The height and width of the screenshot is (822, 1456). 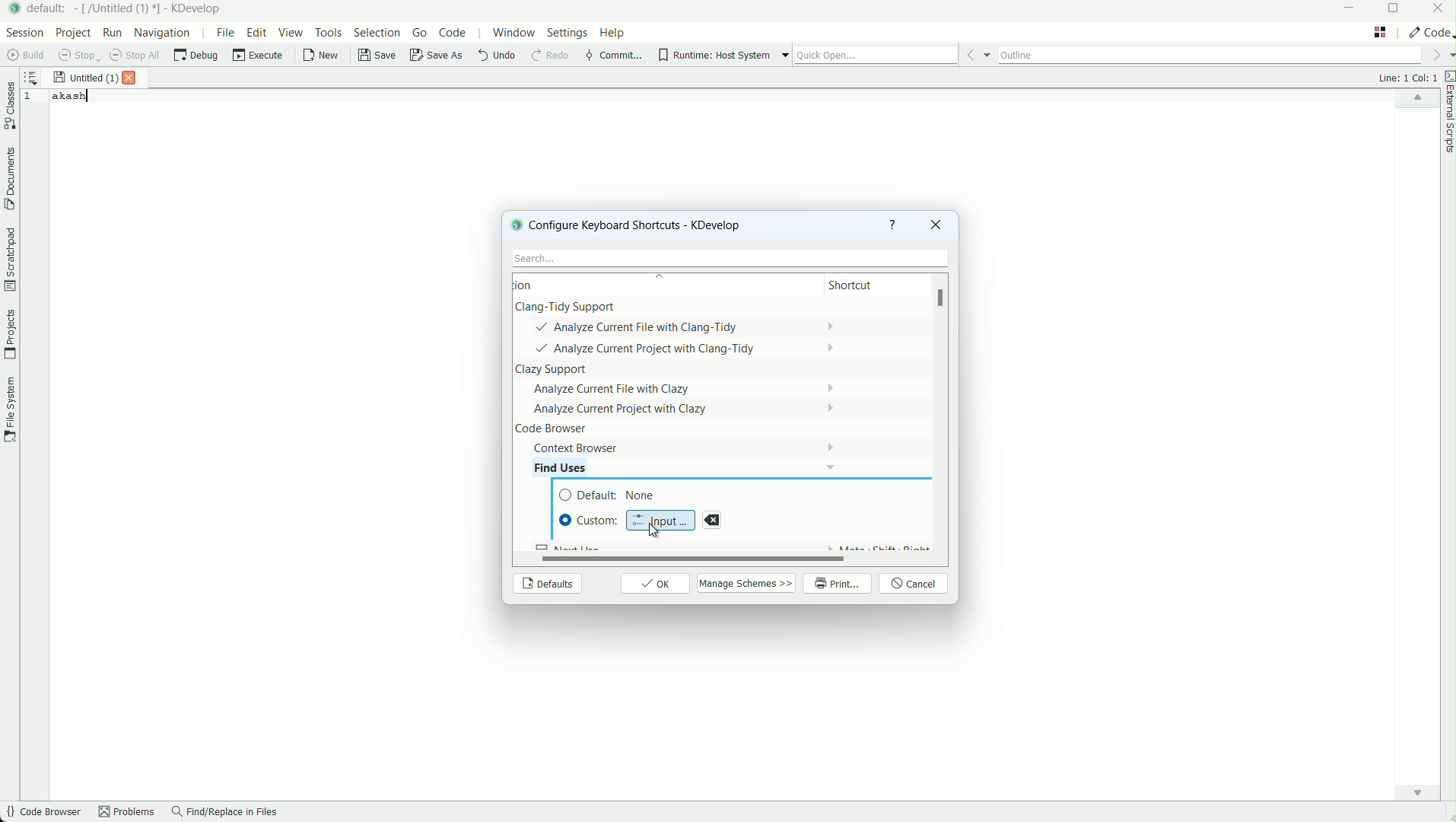 What do you see at coordinates (864, 286) in the screenshot?
I see `shortcut` at bounding box center [864, 286].